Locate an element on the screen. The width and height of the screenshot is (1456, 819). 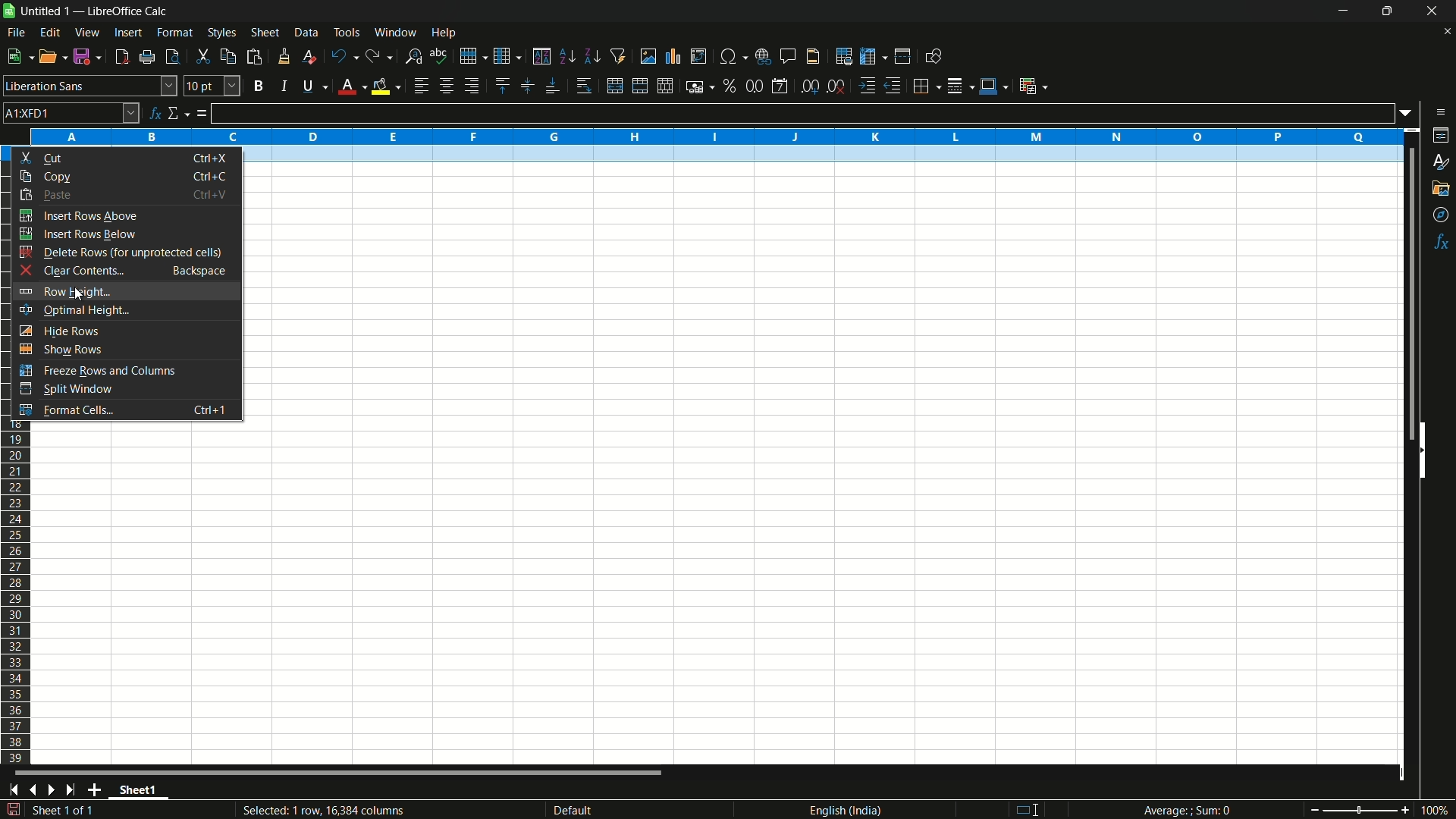
close app is located at coordinates (1428, 11).